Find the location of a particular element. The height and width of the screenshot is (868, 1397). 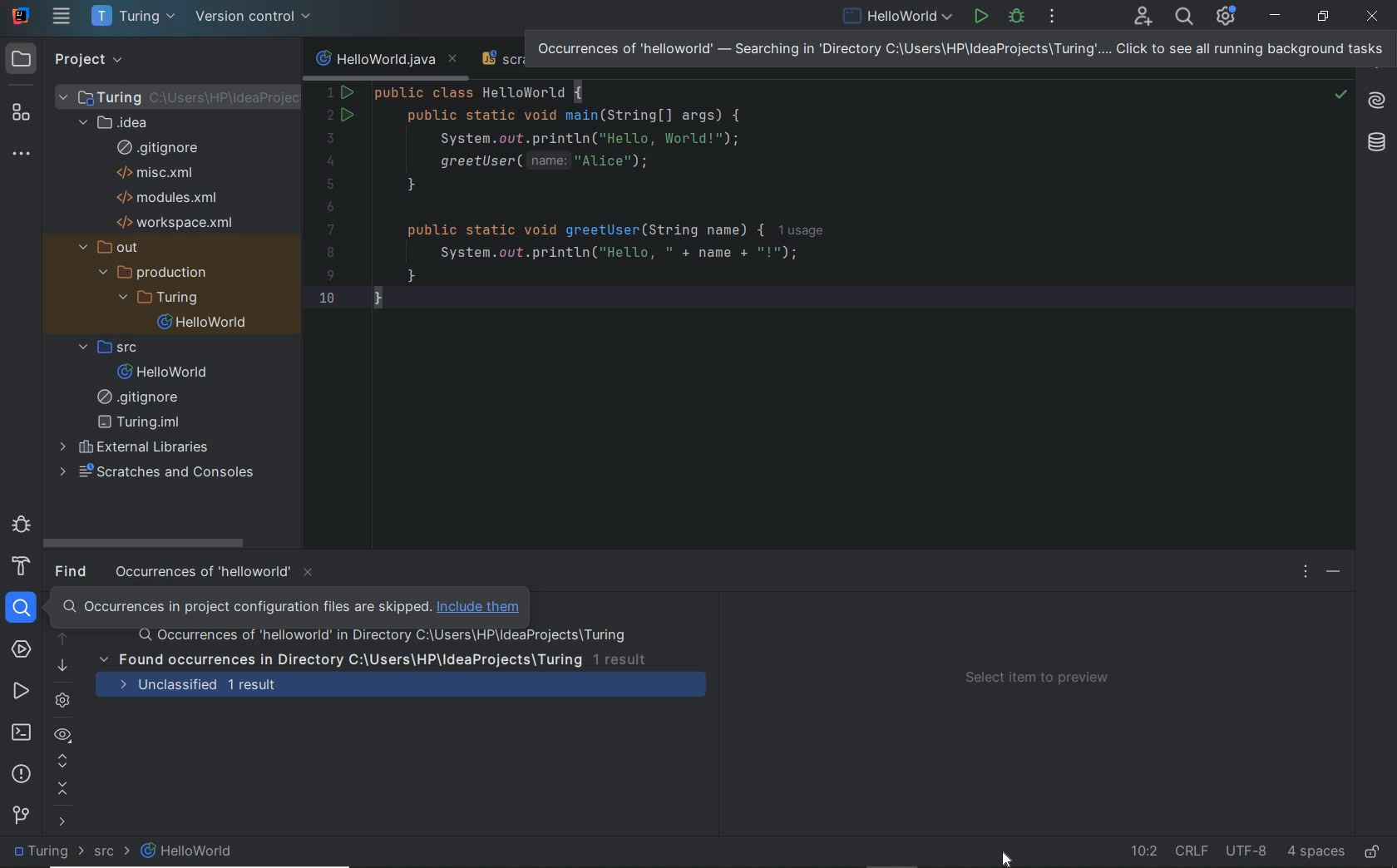

file name is located at coordinates (898, 18).